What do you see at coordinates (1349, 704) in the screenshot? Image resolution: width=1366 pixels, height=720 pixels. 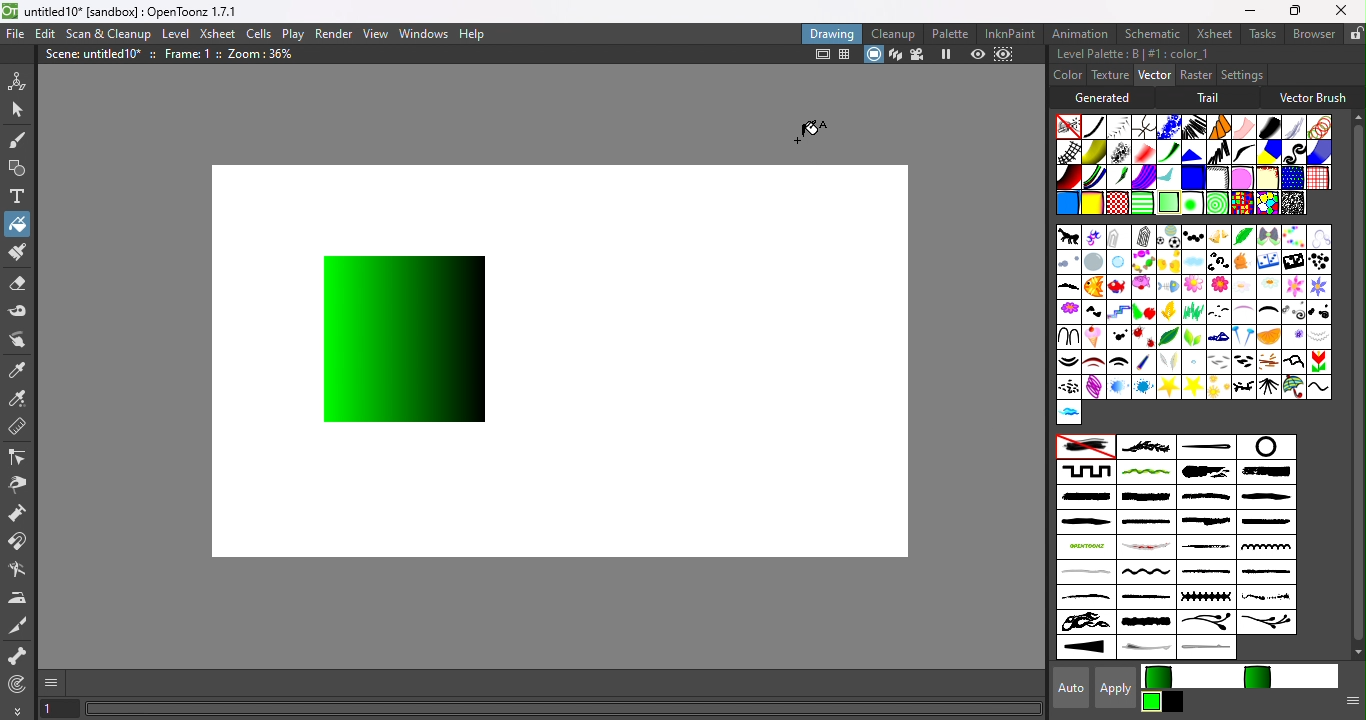 I see `Show or hide parts of the color page` at bounding box center [1349, 704].